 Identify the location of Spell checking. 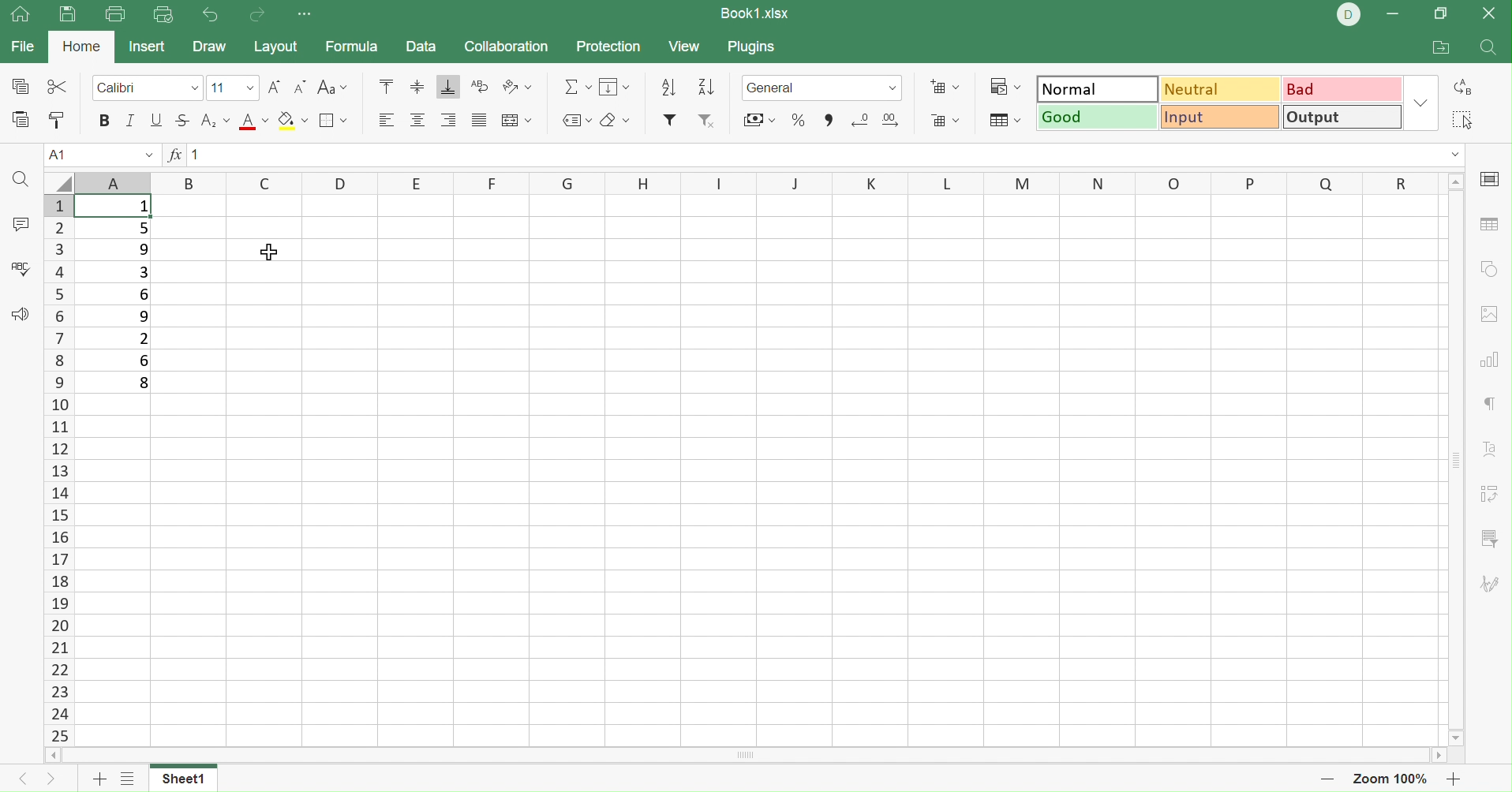
(20, 268).